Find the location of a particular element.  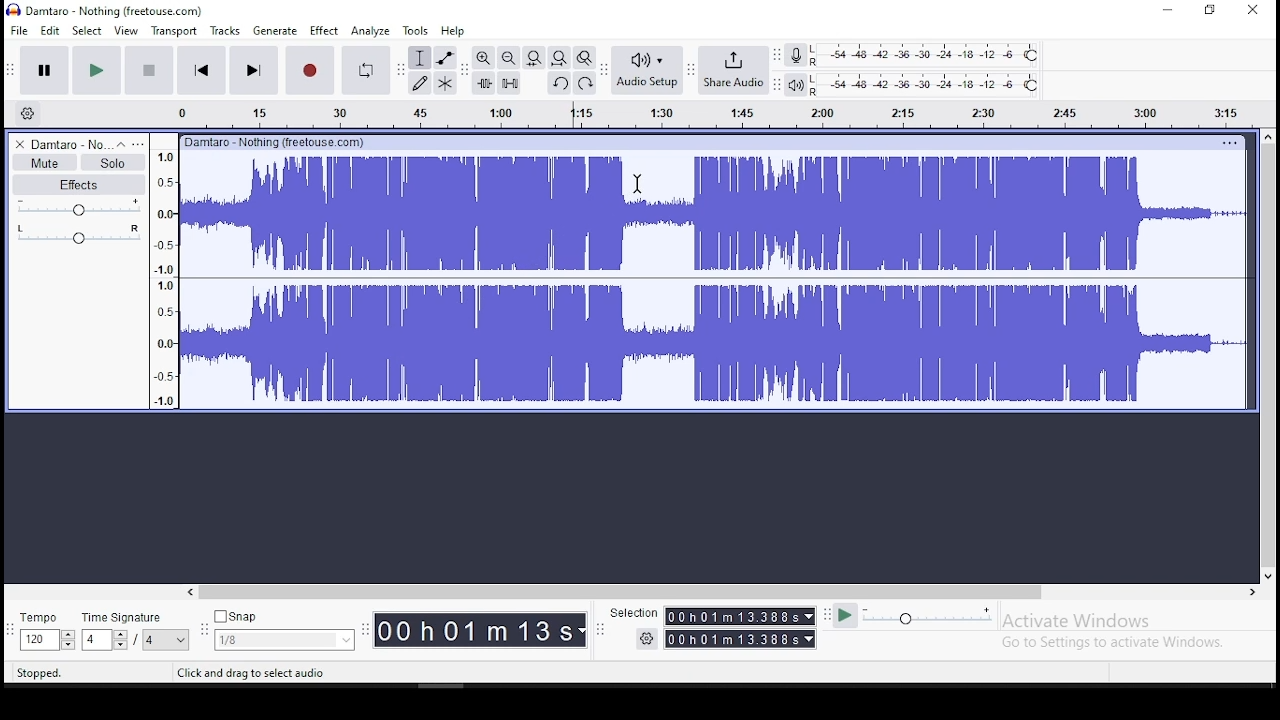

toggle buttons is located at coordinates (46, 640).